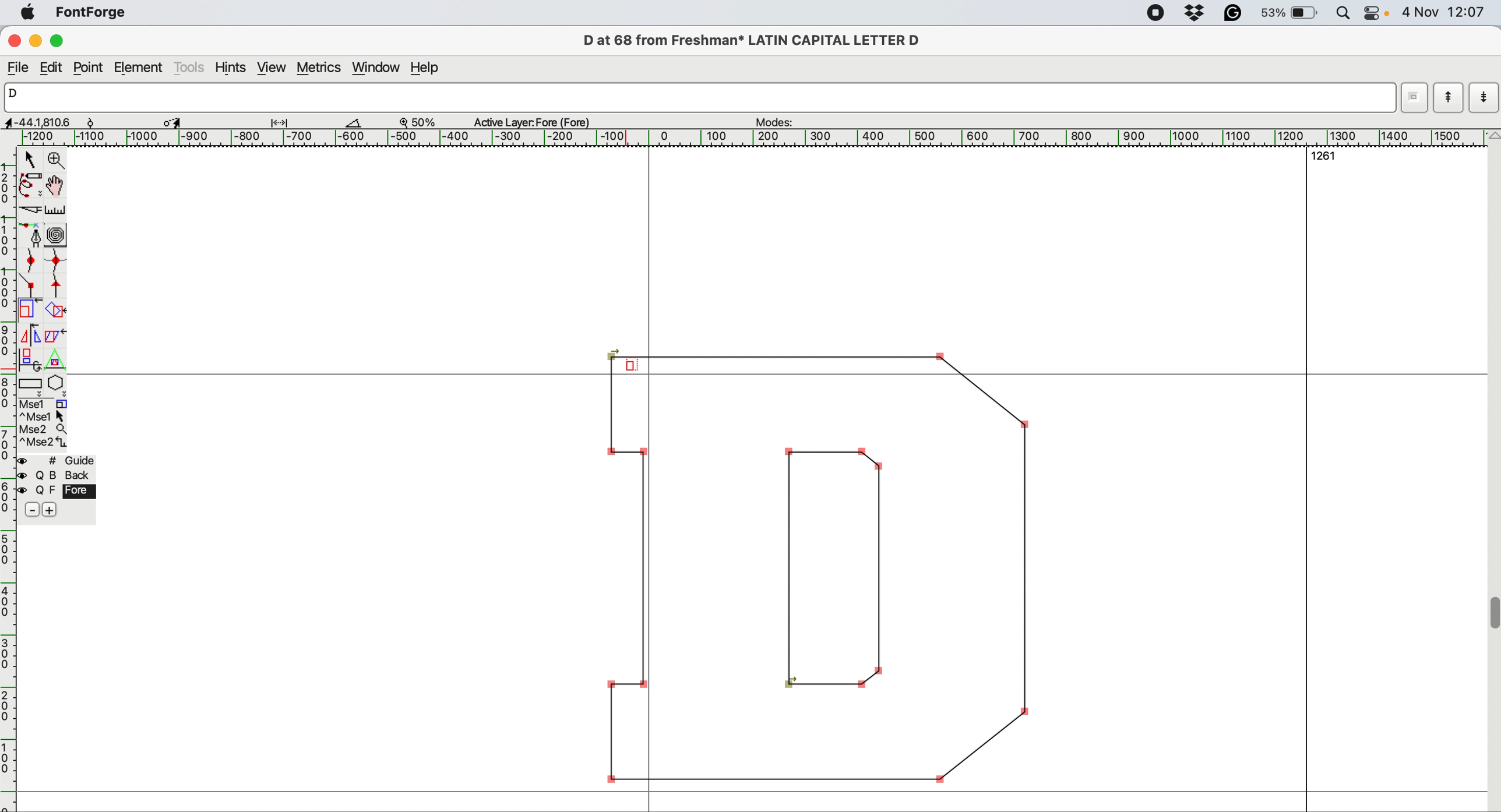  I want to click on 1261, so click(1328, 158).